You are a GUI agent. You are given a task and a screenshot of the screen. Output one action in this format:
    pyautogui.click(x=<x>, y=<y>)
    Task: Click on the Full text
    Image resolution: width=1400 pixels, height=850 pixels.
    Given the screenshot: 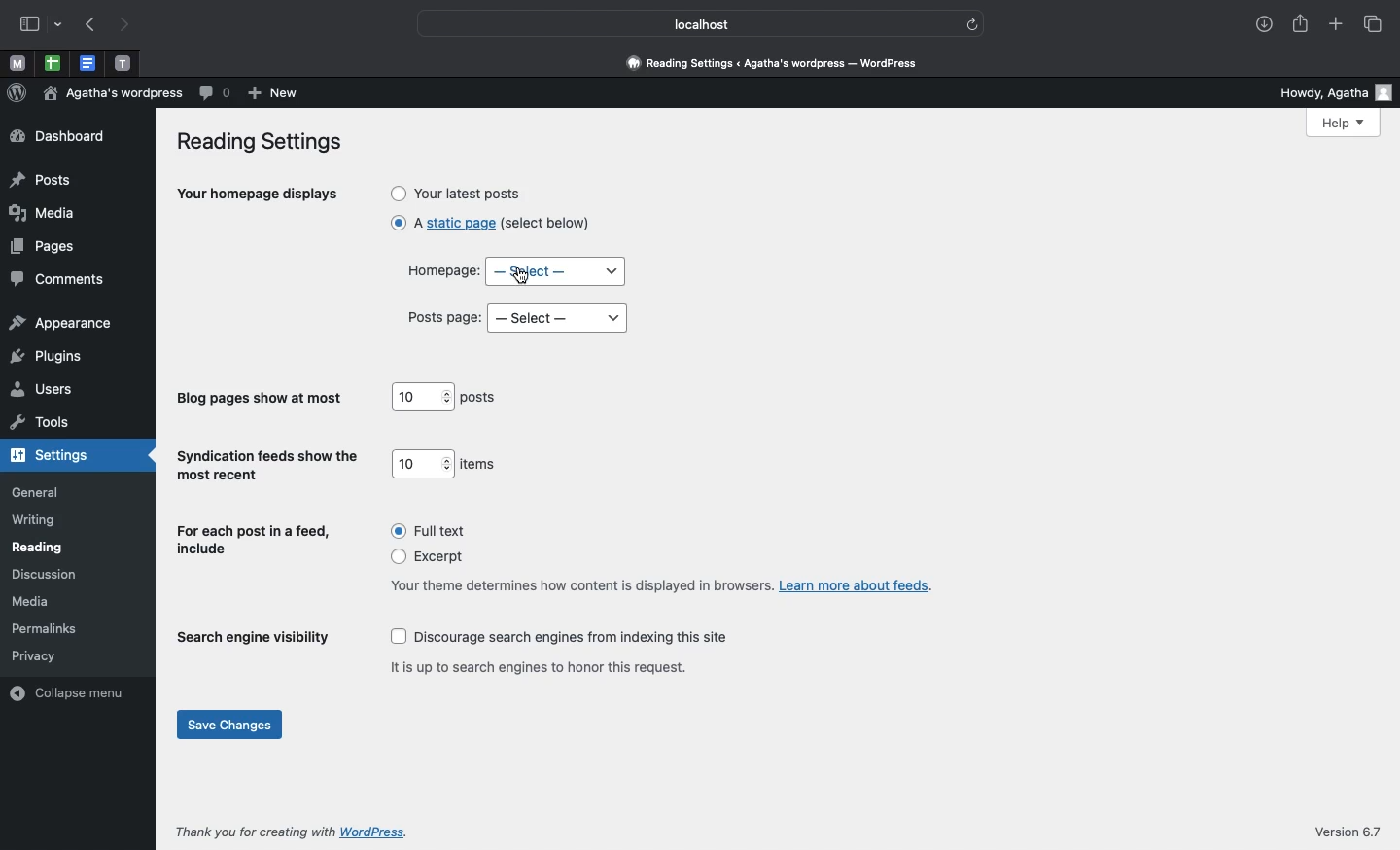 What is the action you would take?
    pyautogui.click(x=434, y=530)
    